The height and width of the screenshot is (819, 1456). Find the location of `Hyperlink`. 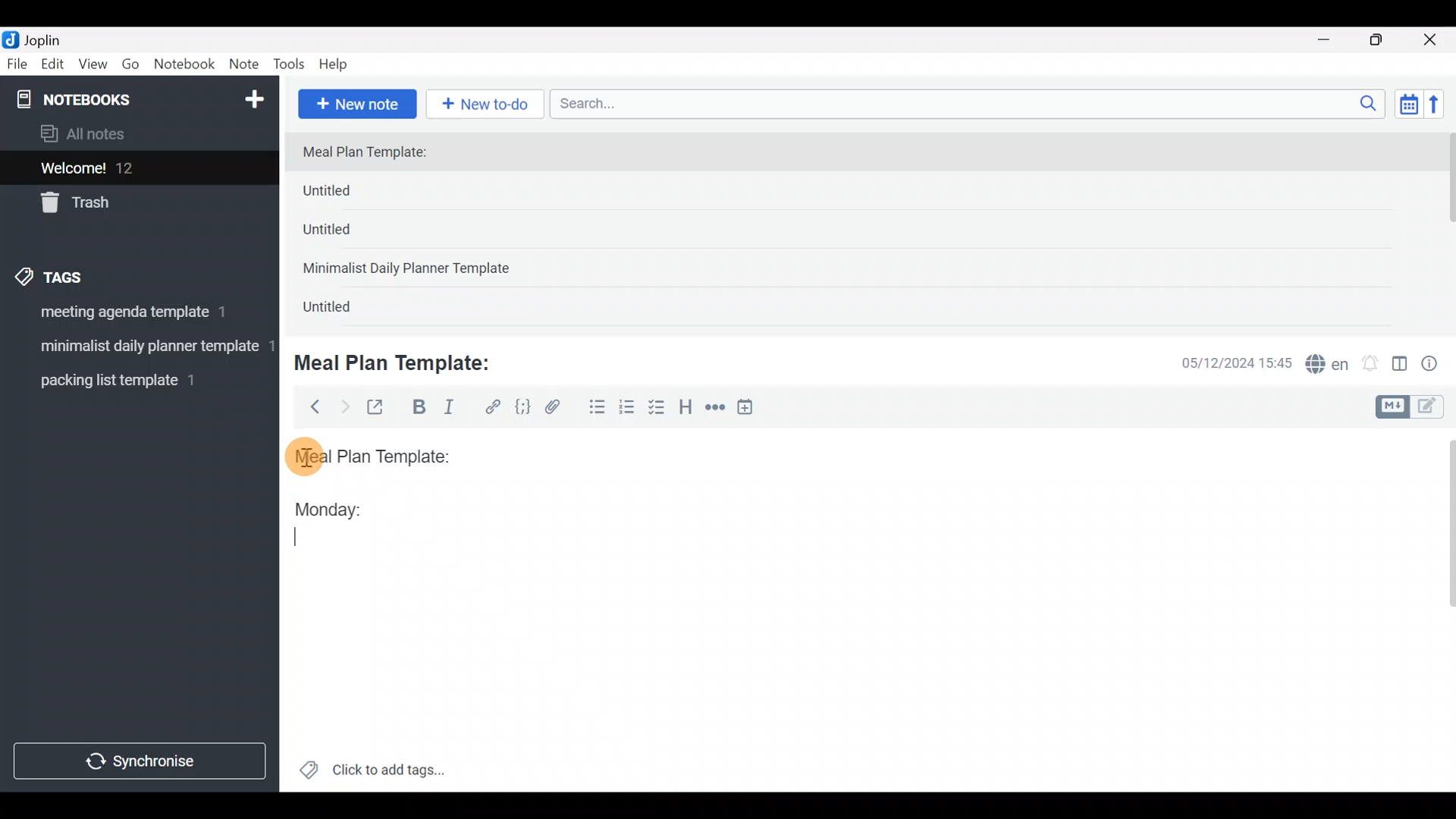

Hyperlink is located at coordinates (493, 407).